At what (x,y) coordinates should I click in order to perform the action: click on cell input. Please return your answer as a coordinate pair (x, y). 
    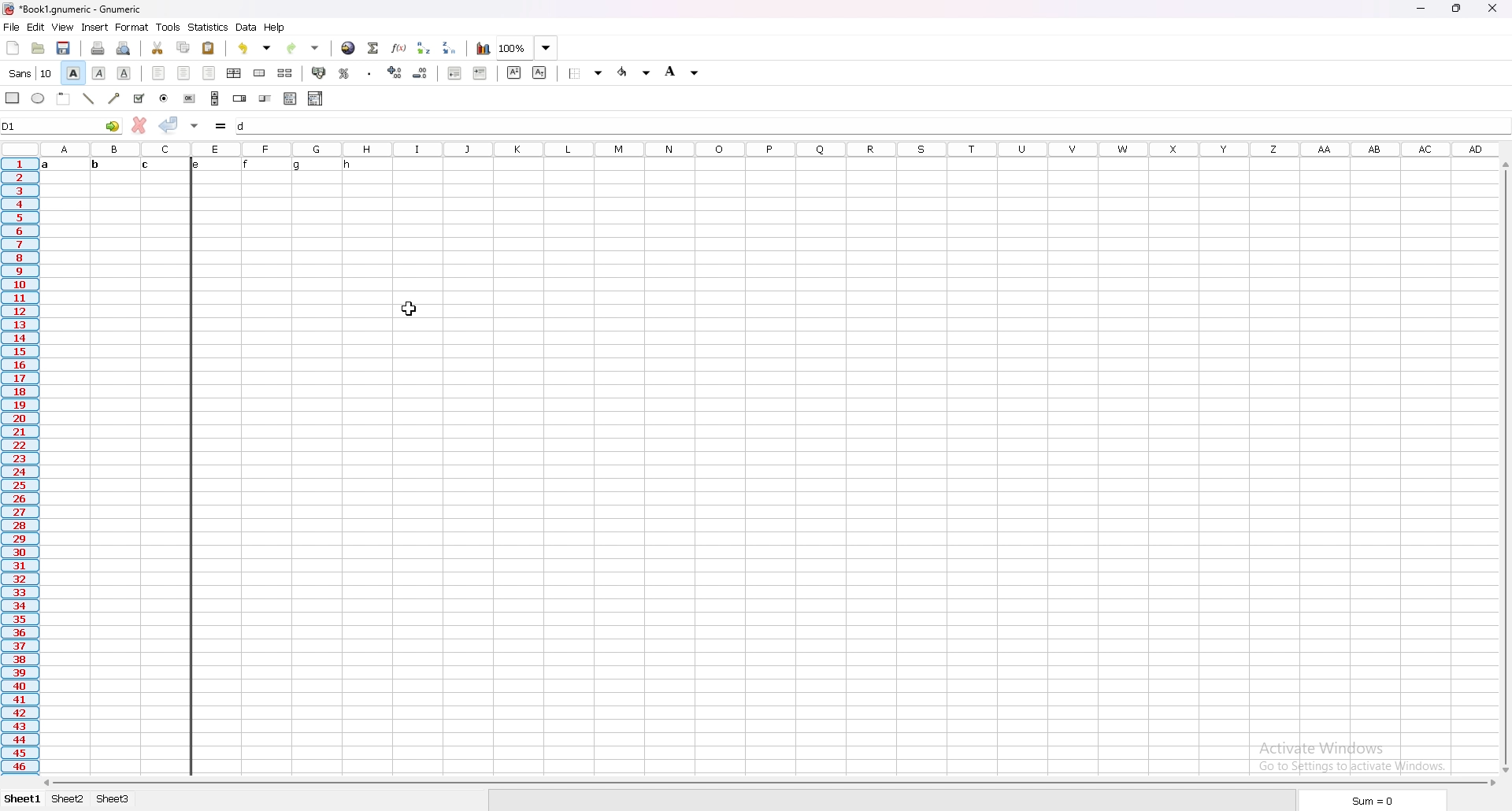
    Looking at the image, I should click on (872, 126).